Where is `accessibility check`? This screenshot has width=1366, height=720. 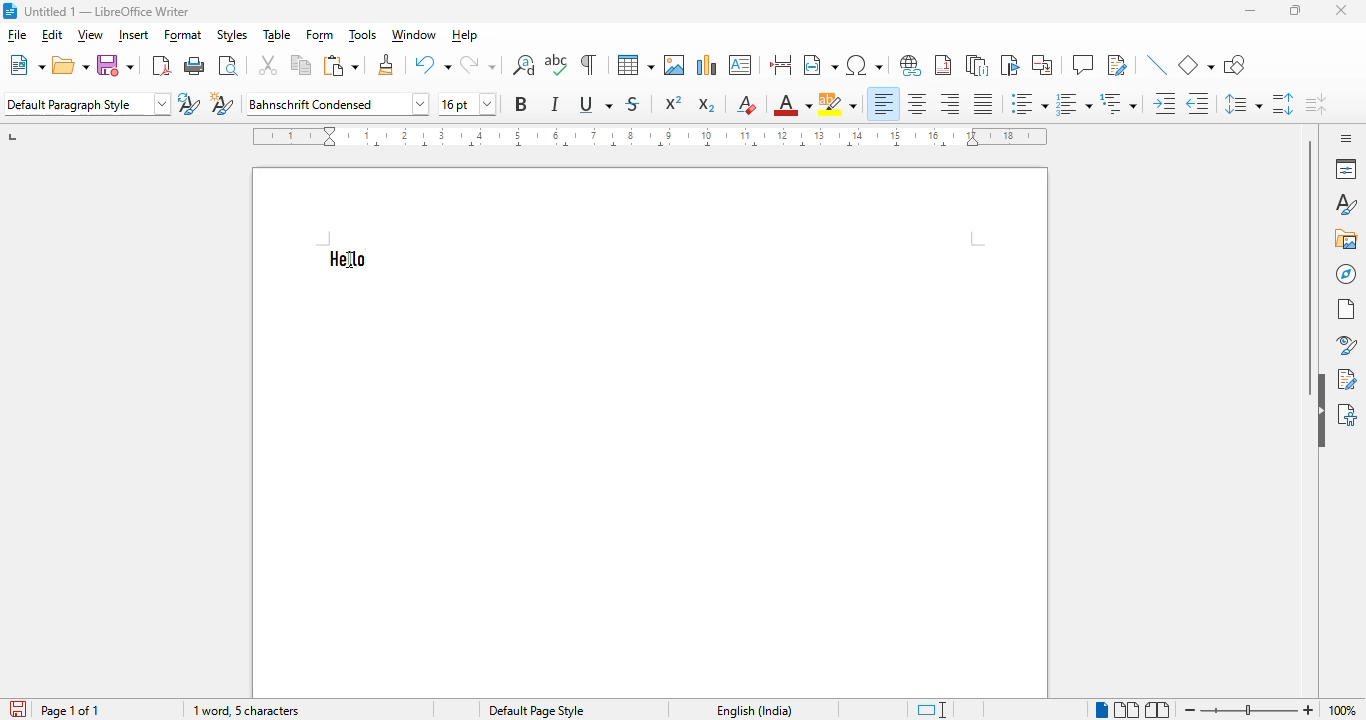 accessibility check is located at coordinates (1347, 413).